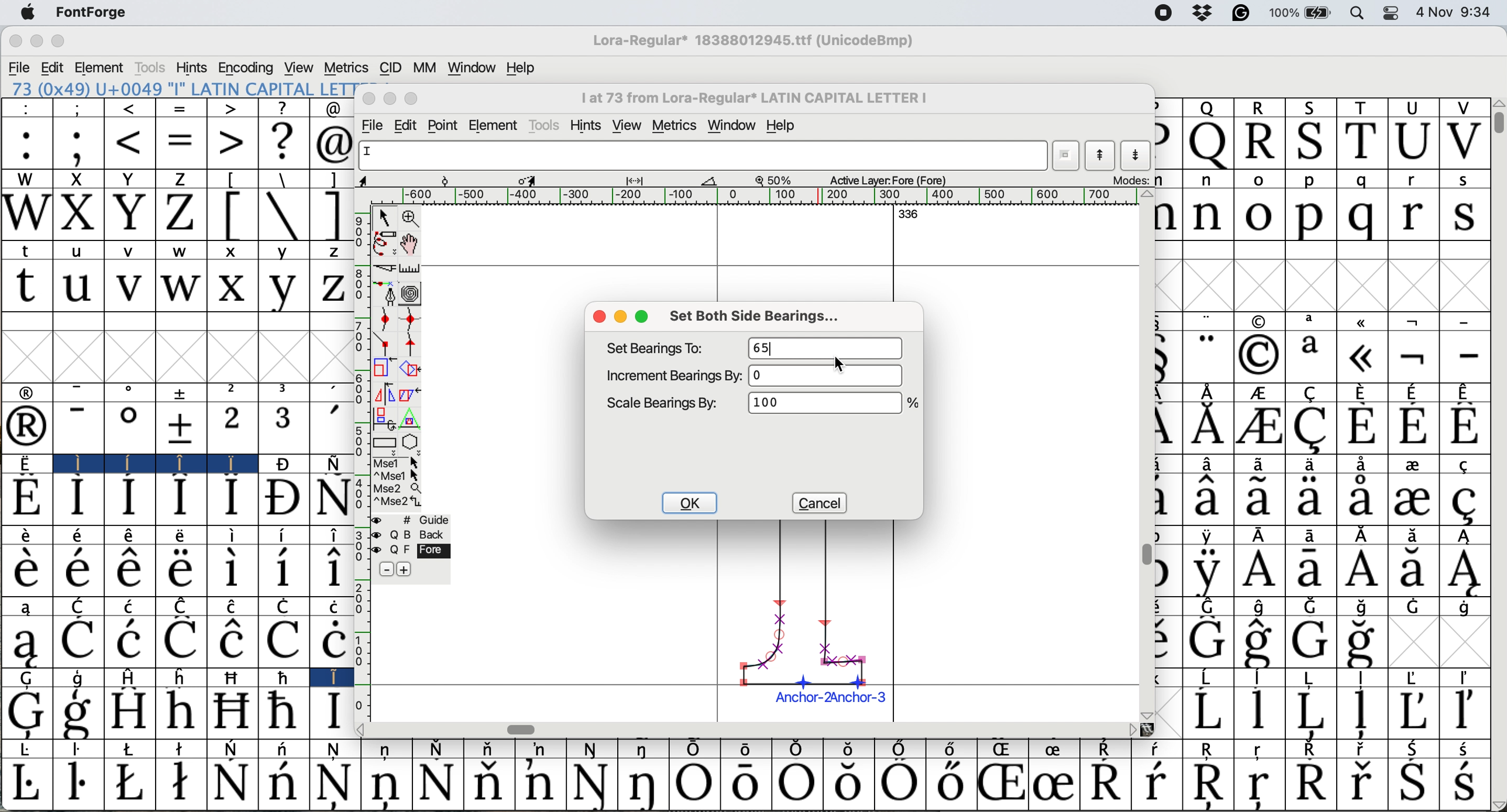 Image resolution: width=1507 pixels, height=812 pixels. I want to click on Symbol, so click(1210, 784).